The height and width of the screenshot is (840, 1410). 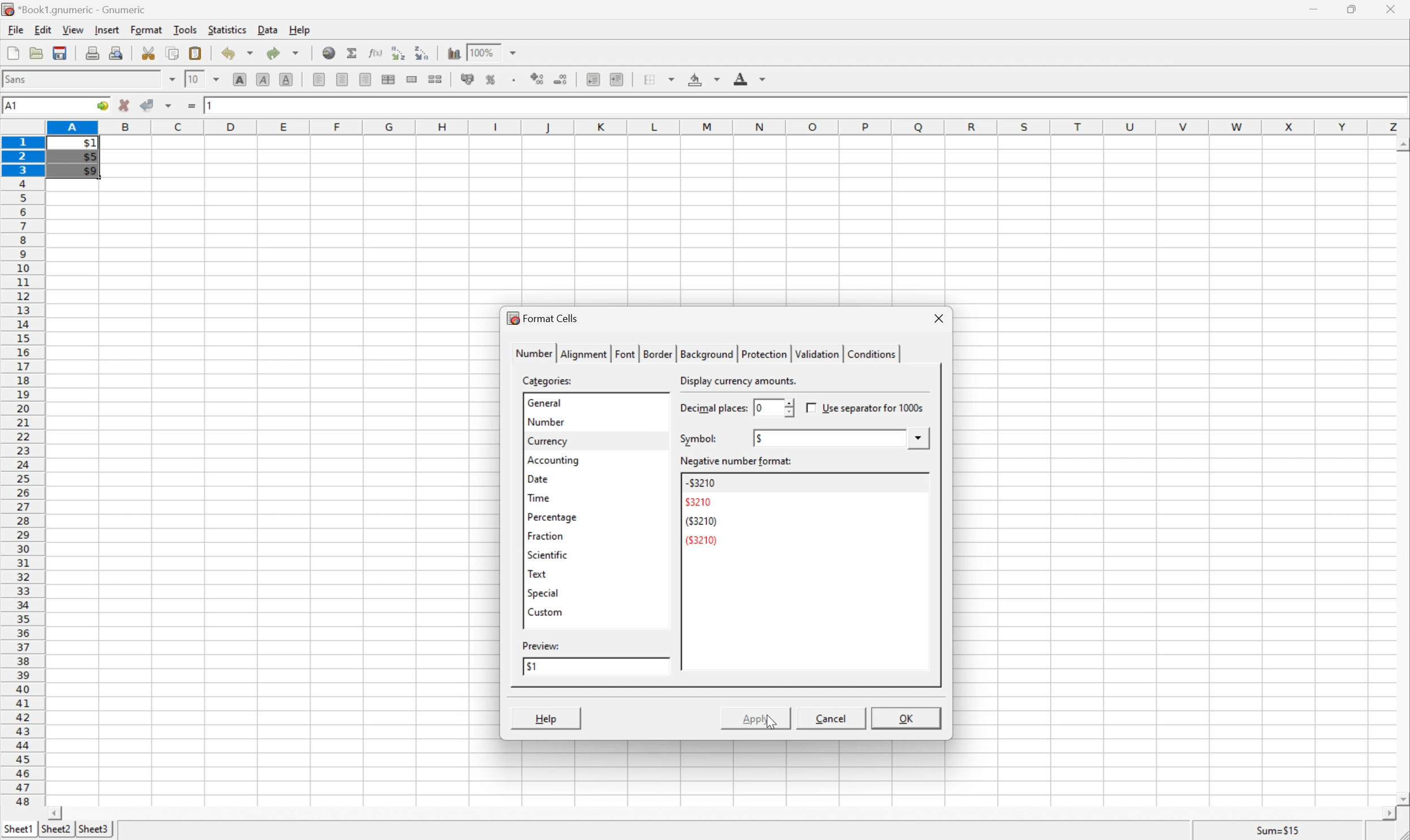 I want to click on negative number format, so click(x=738, y=462).